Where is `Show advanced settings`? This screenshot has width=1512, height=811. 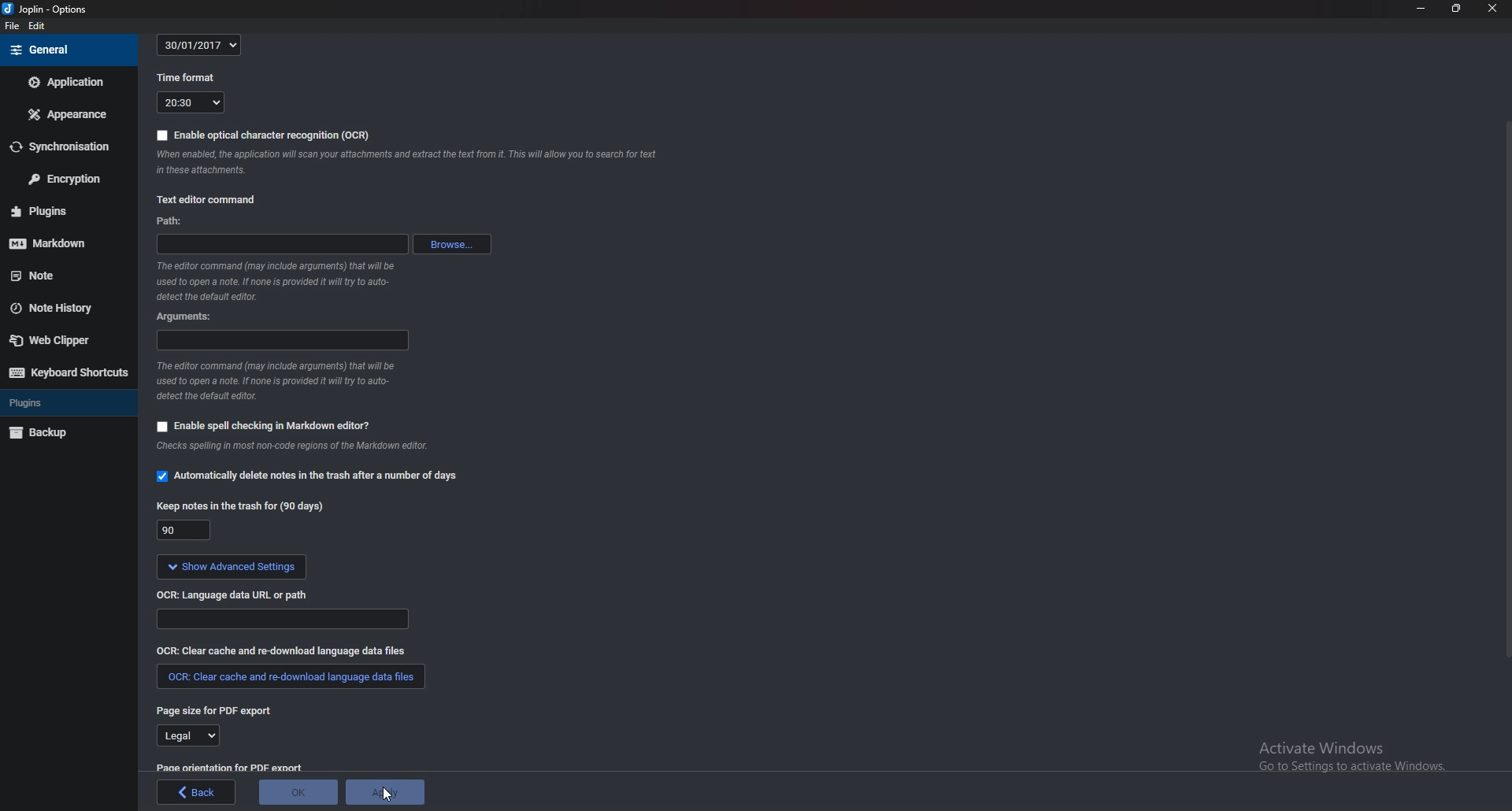
Show advanced settings is located at coordinates (232, 567).